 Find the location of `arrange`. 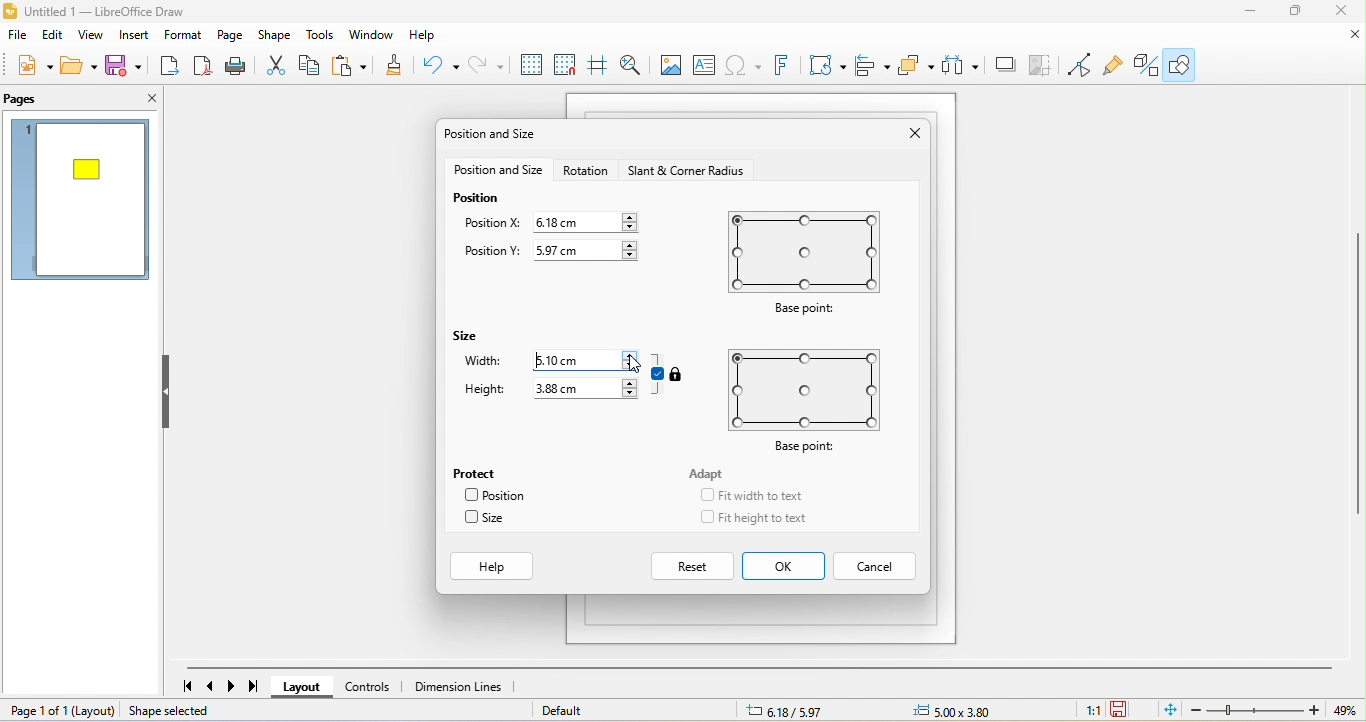

arrange is located at coordinates (920, 66).